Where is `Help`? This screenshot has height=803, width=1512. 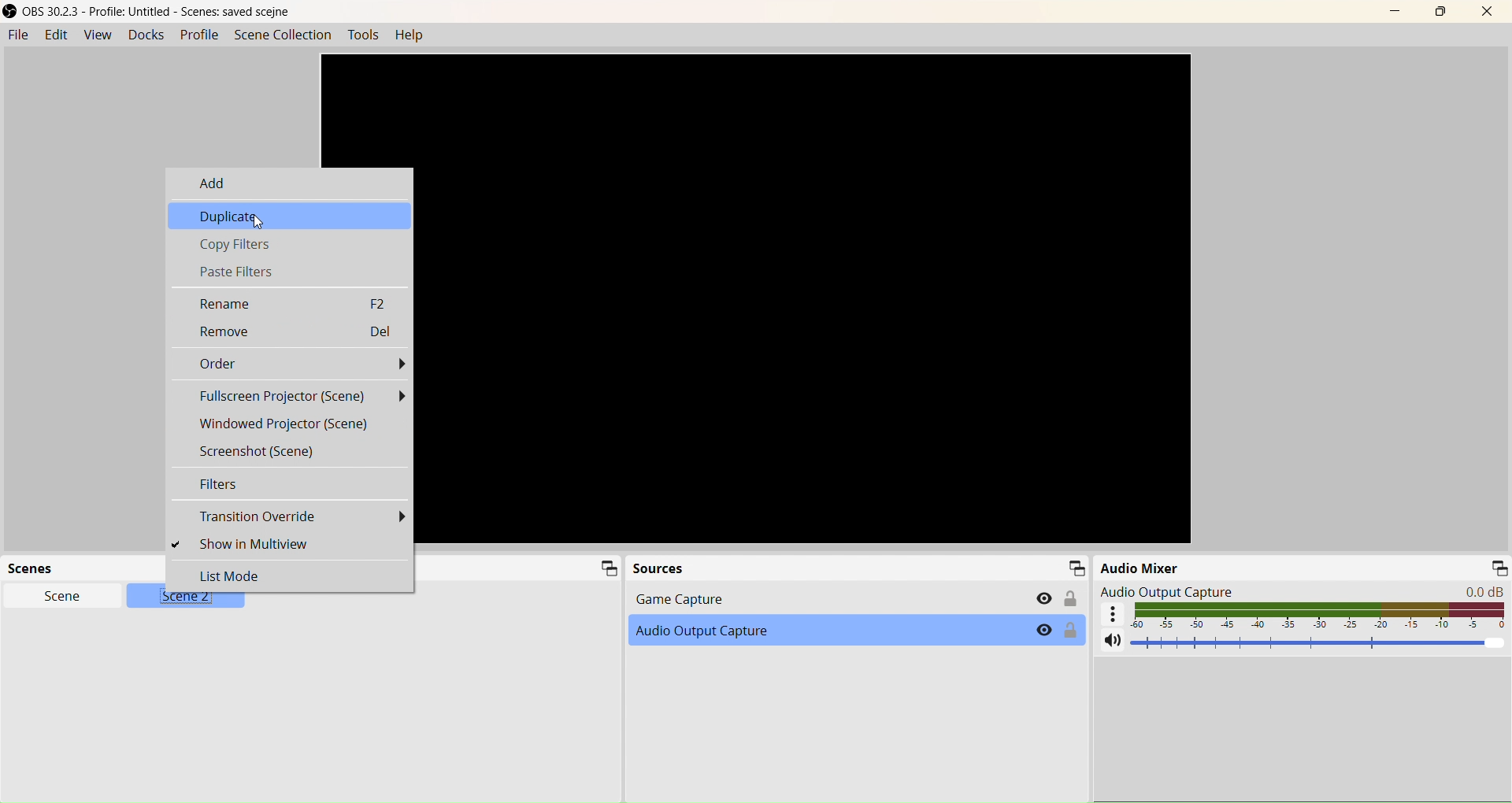
Help is located at coordinates (409, 34).